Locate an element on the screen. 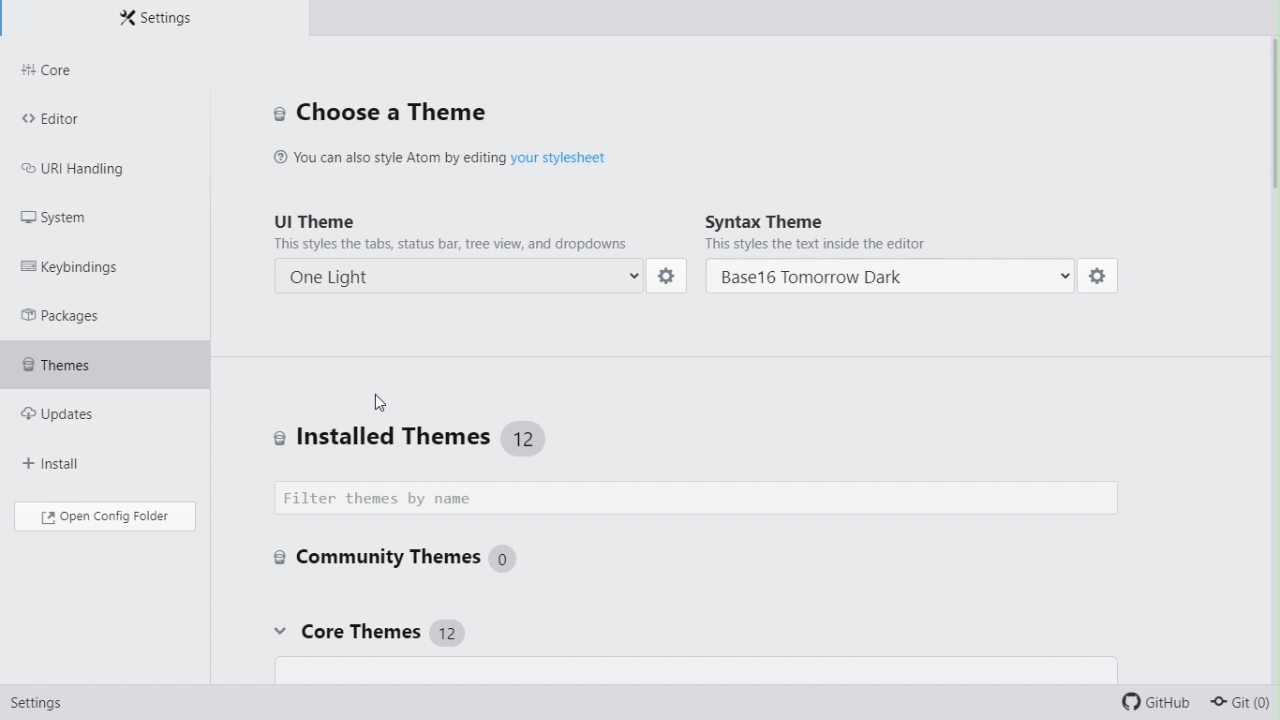 Image resolution: width=1280 pixels, height=720 pixels. URL handling is located at coordinates (94, 171).